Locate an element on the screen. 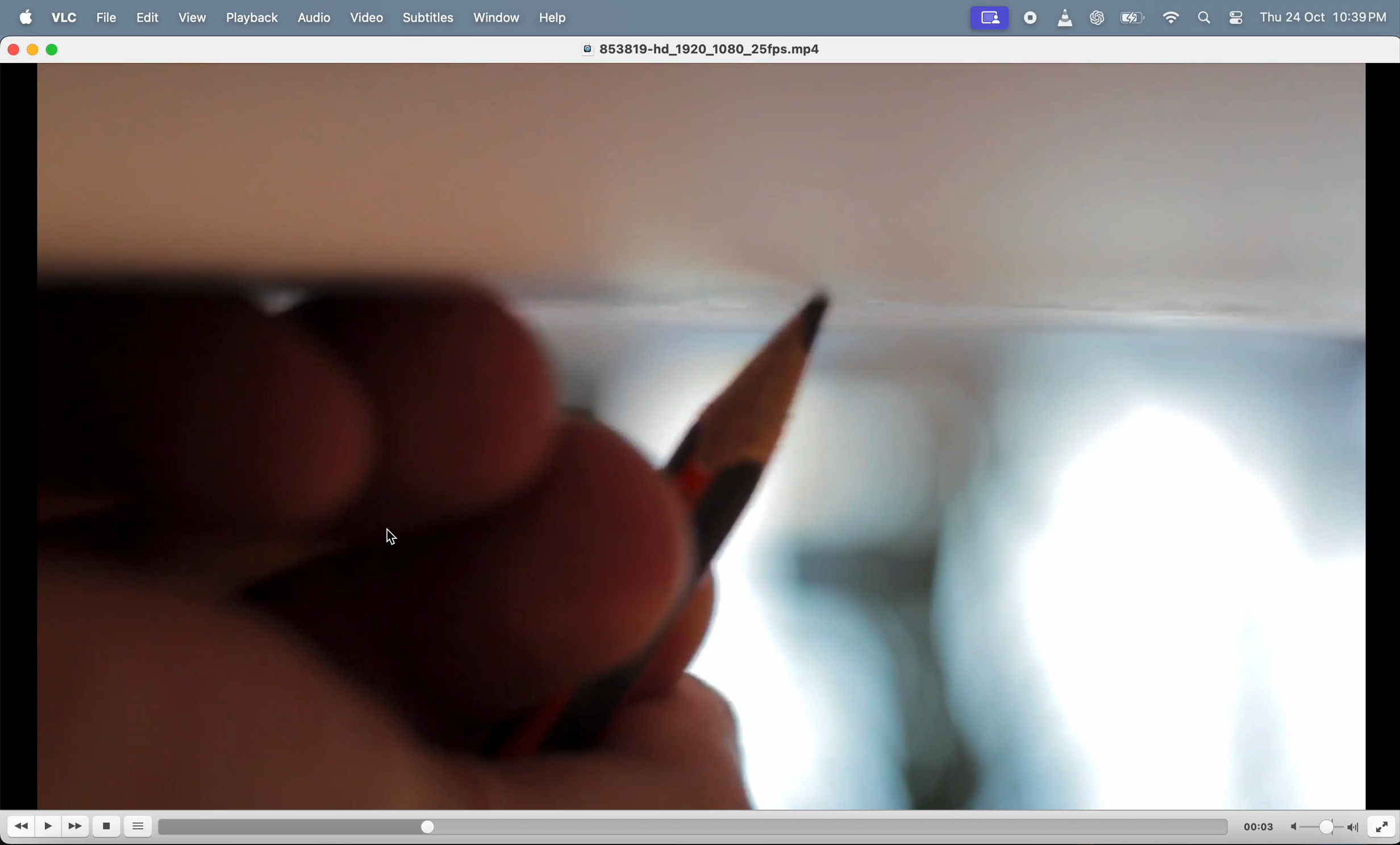  Subtitles is located at coordinates (431, 18).